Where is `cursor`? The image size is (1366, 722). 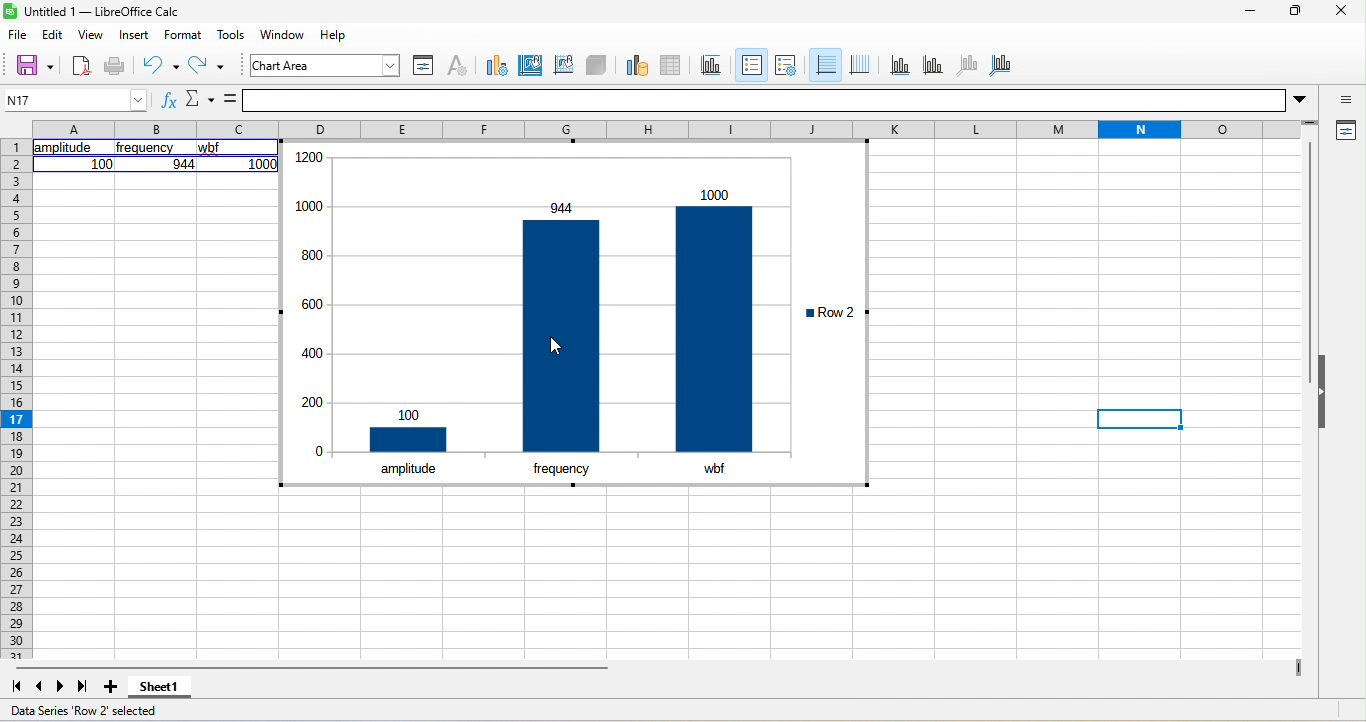 cursor is located at coordinates (563, 337).